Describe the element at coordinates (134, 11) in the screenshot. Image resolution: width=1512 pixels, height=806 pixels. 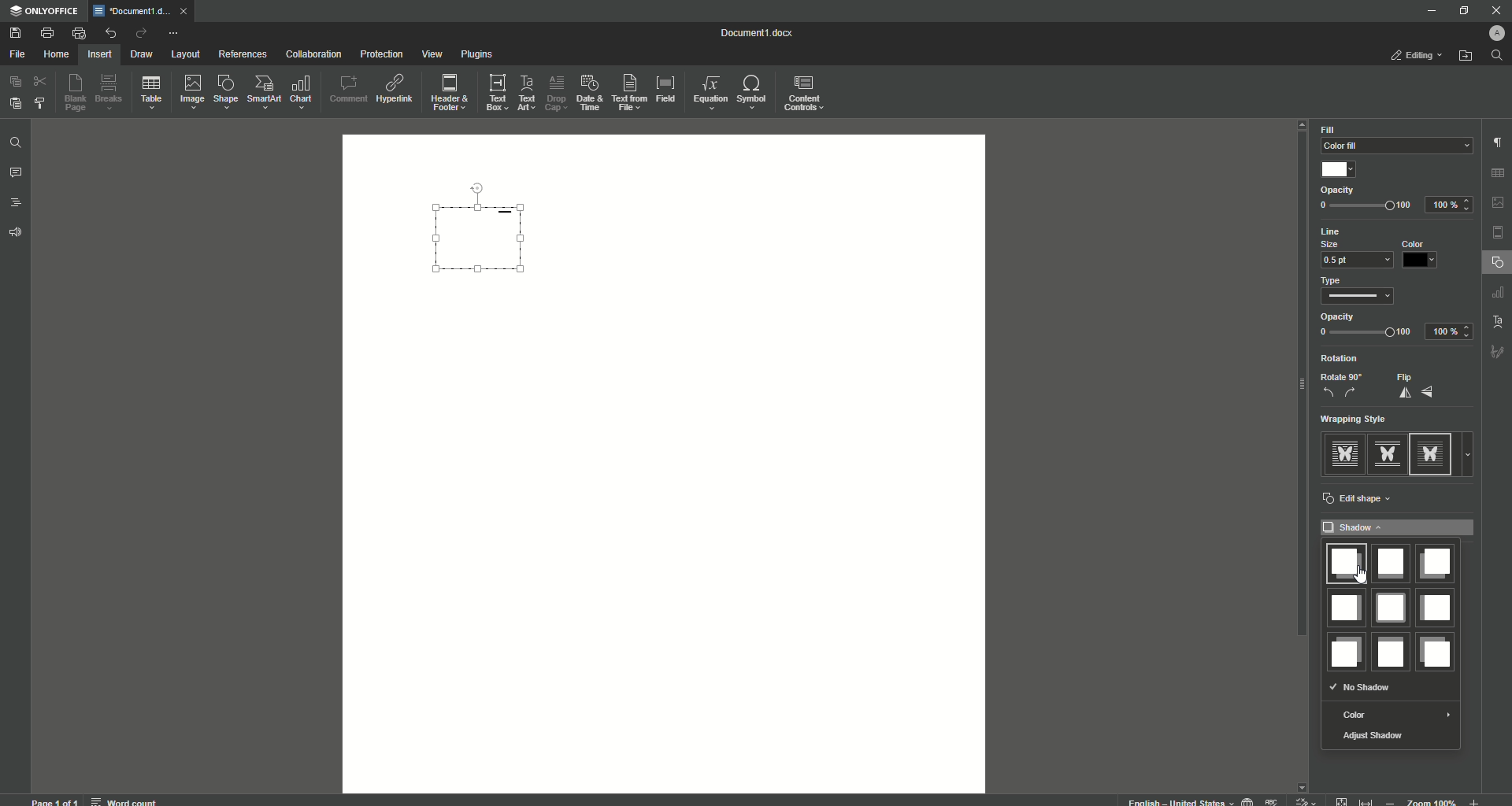
I see `Tab 1` at that location.